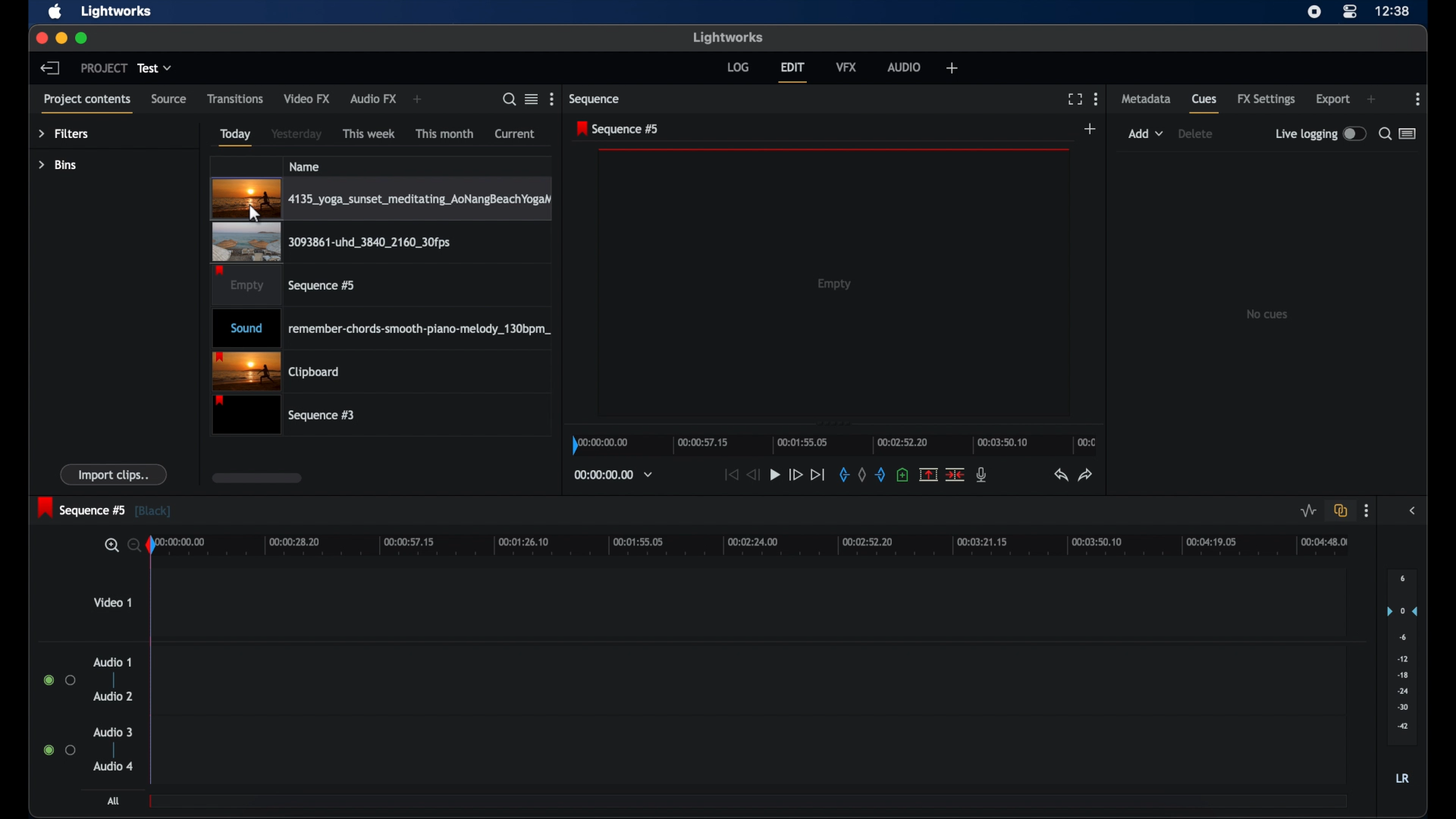  Describe the element at coordinates (952, 69) in the screenshot. I see `add` at that location.